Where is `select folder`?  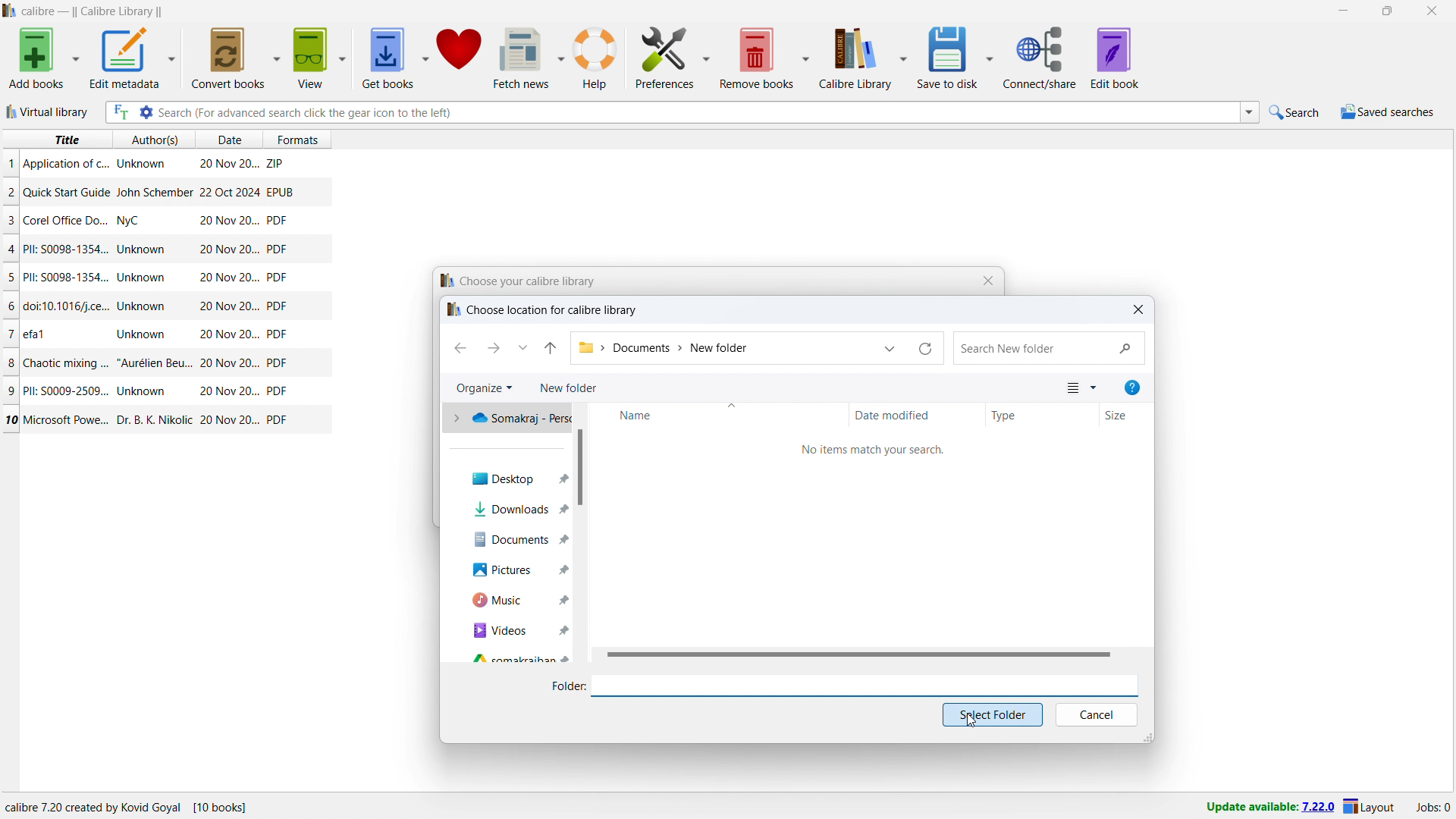 select folder is located at coordinates (993, 715).